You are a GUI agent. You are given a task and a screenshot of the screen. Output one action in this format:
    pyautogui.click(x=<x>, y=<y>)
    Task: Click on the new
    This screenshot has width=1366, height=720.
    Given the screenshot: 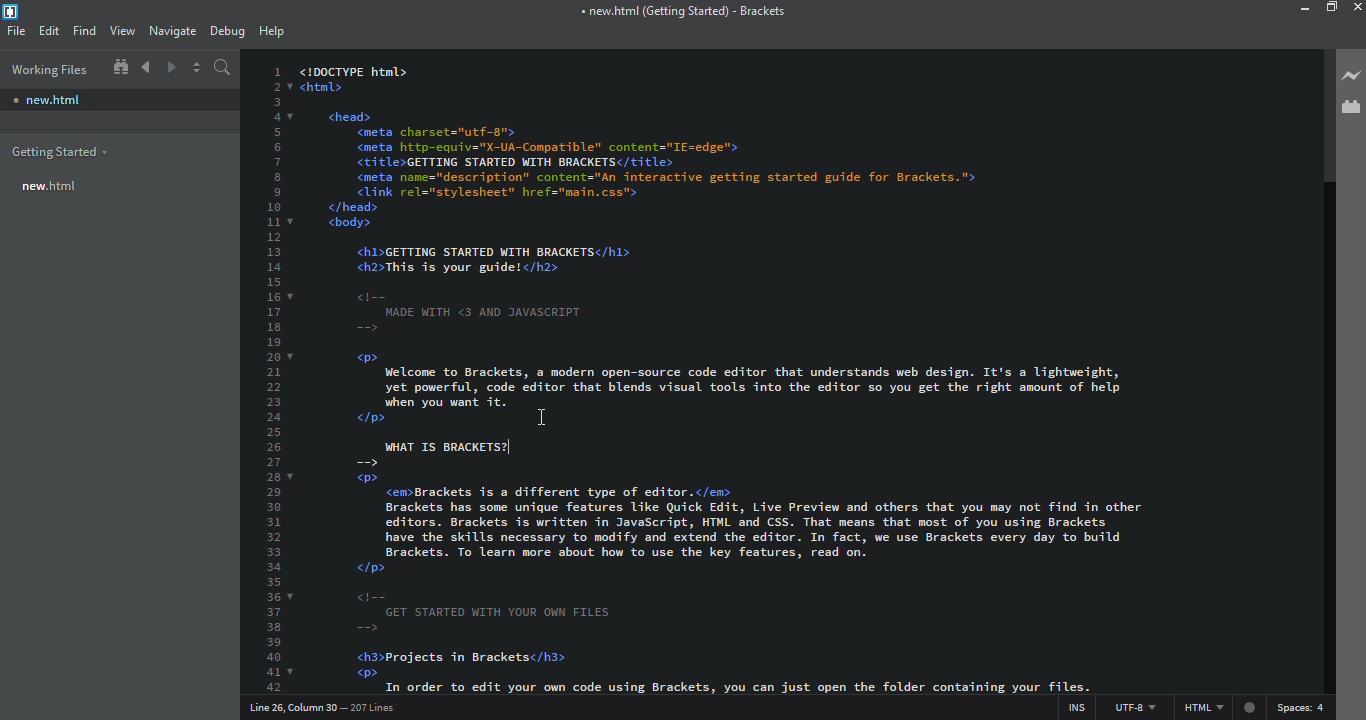 What is the action you would take?
    pyautogui.click(x=50, y=98)
    